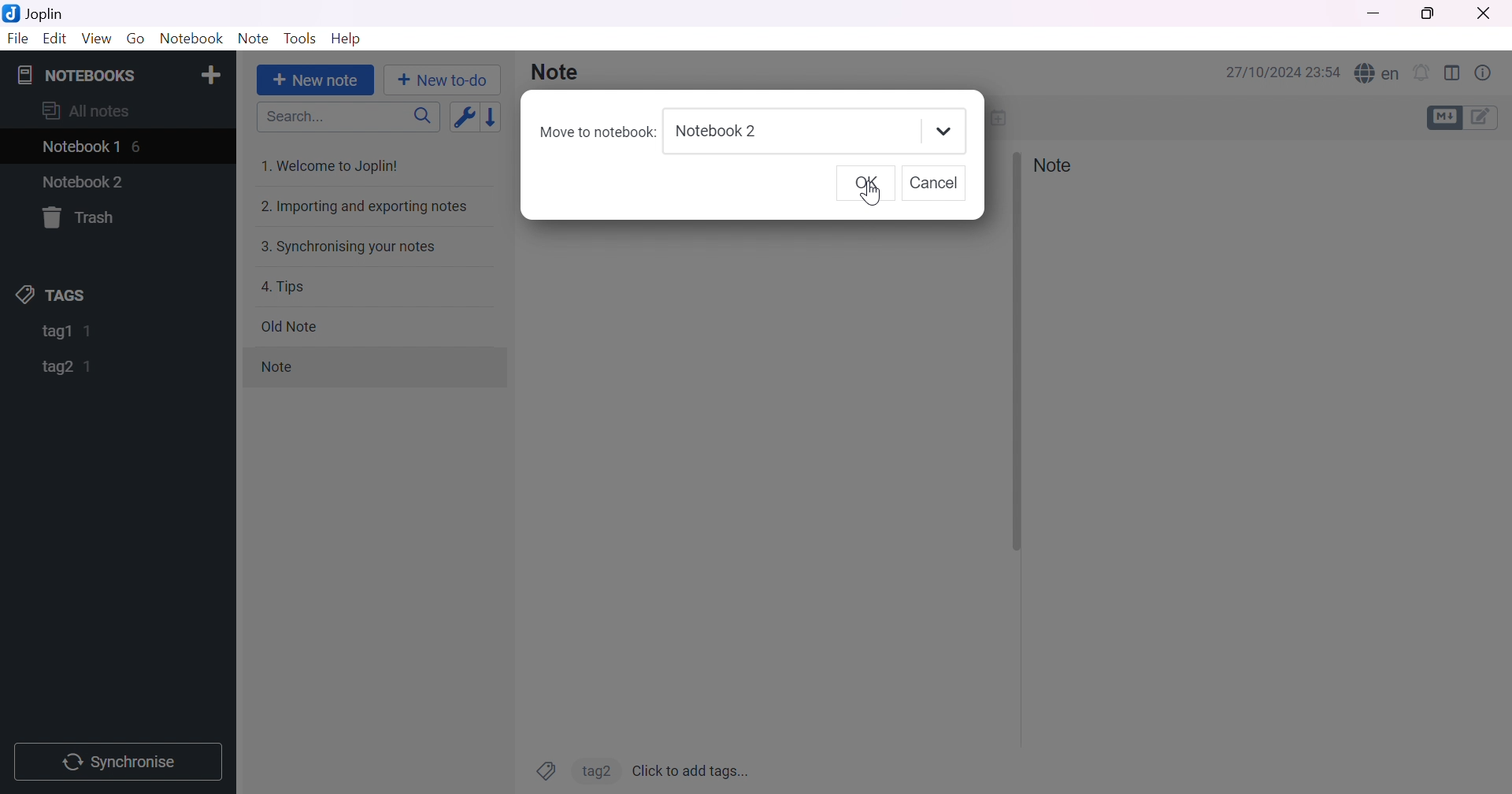  I want to click on Old note, so click(287, 326).